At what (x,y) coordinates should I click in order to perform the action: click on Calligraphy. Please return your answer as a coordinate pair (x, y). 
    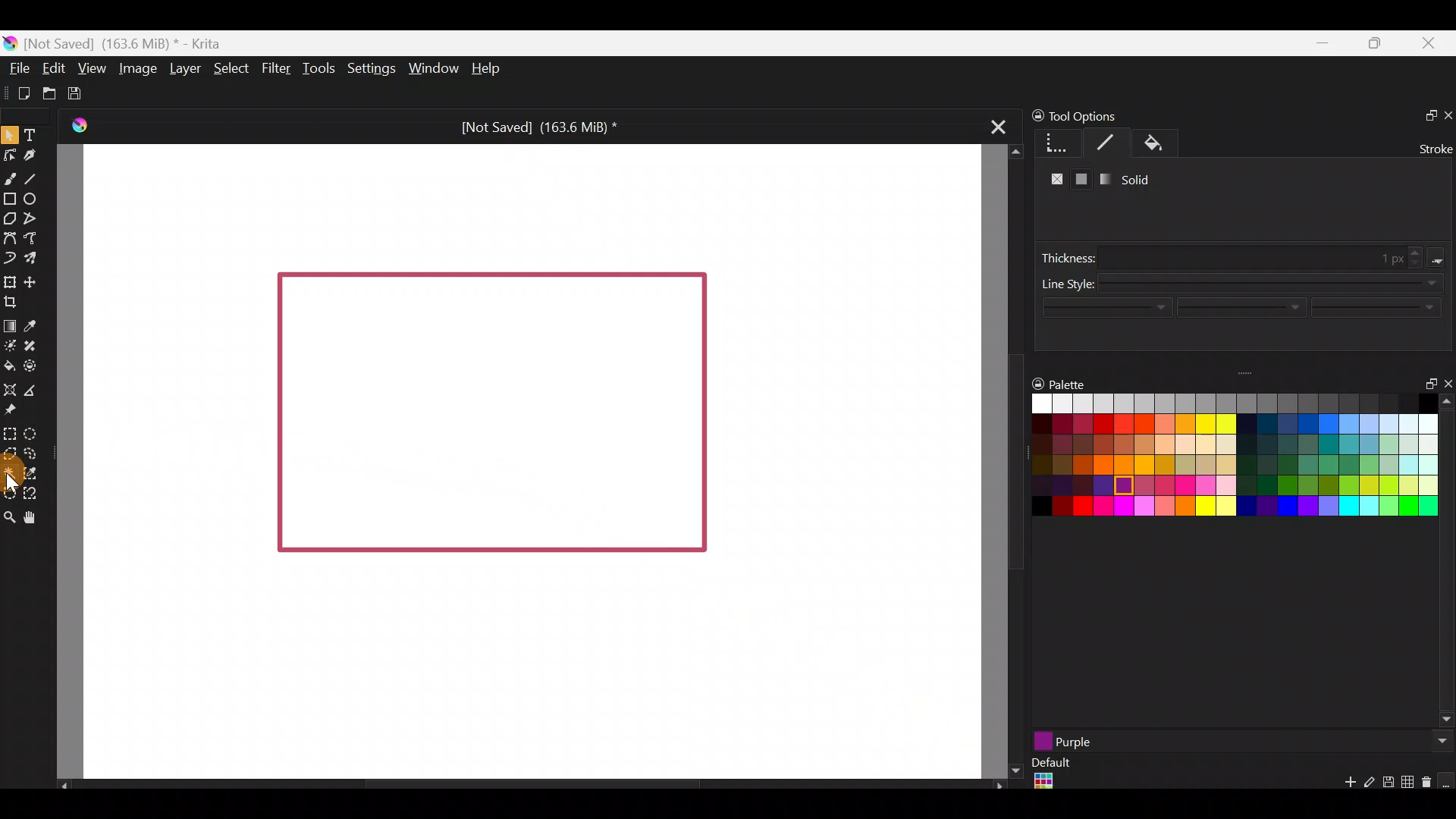
    Looking at the image, I should click on (33, 155).